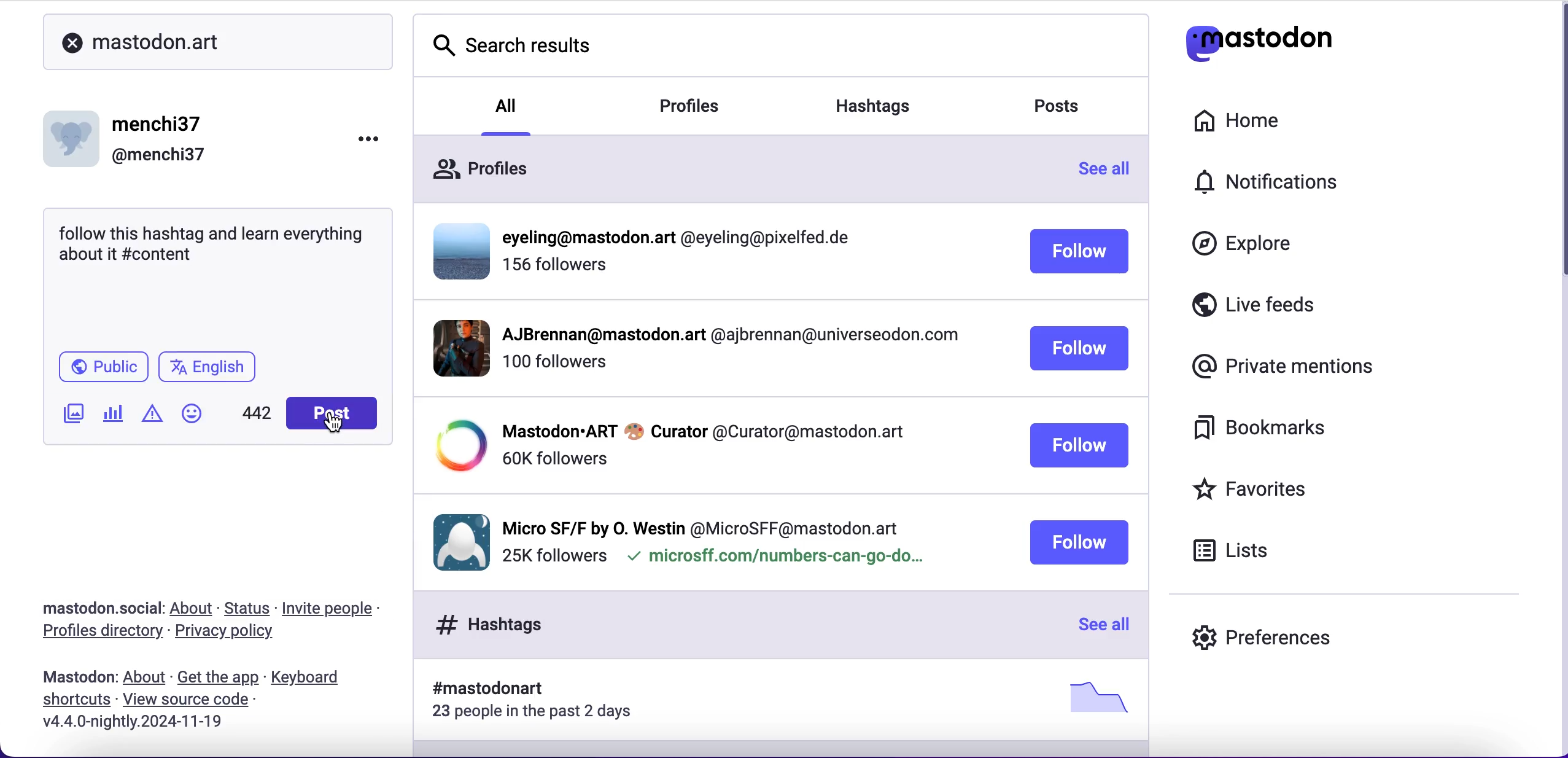 The height and width of the screenshot is (758, 1568). Describe the element at coordinates (217, 678) in the screenshot. I see `get the app` at that location.